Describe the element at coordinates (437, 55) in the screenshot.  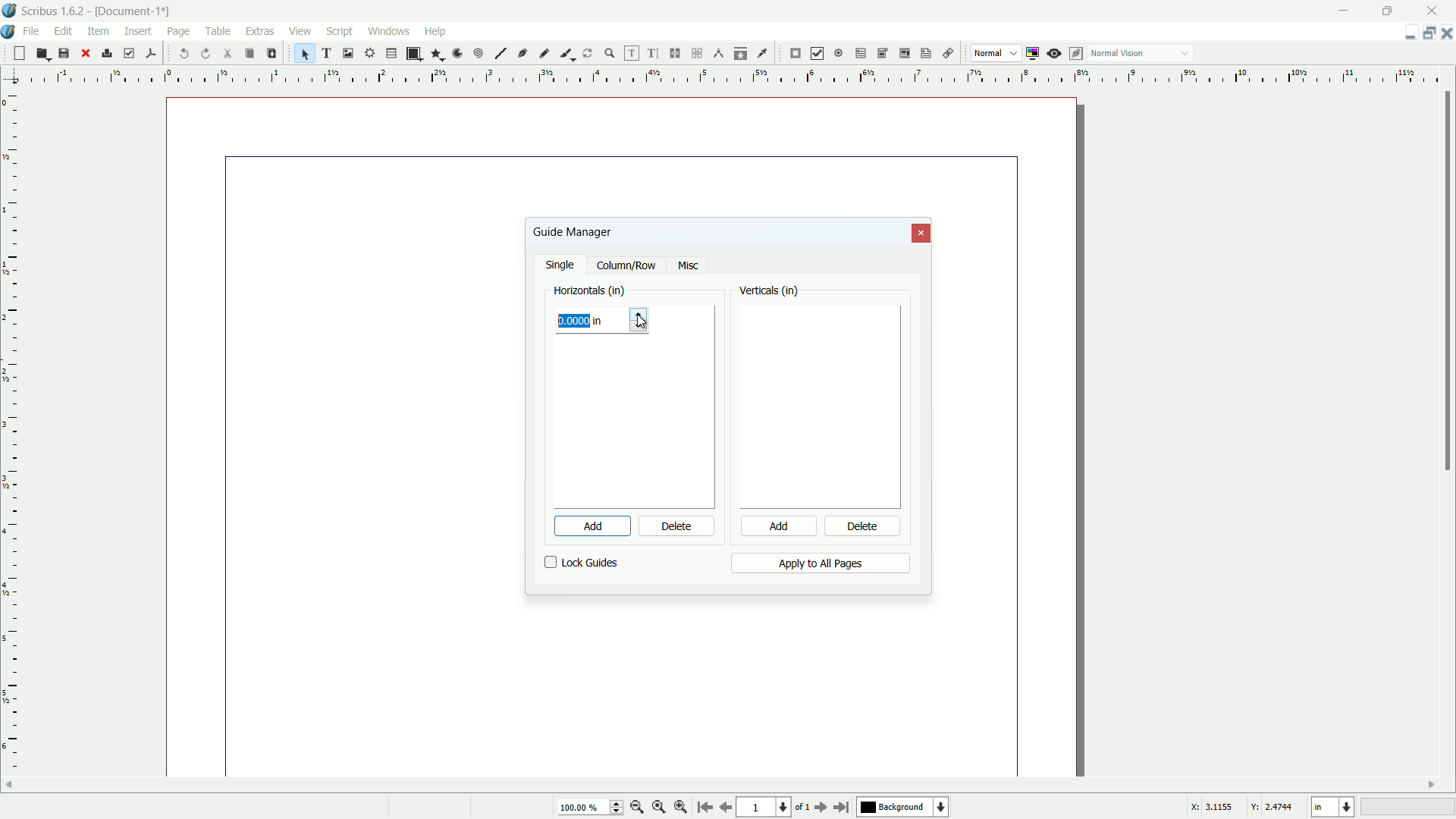
I see `polygon` at that location.